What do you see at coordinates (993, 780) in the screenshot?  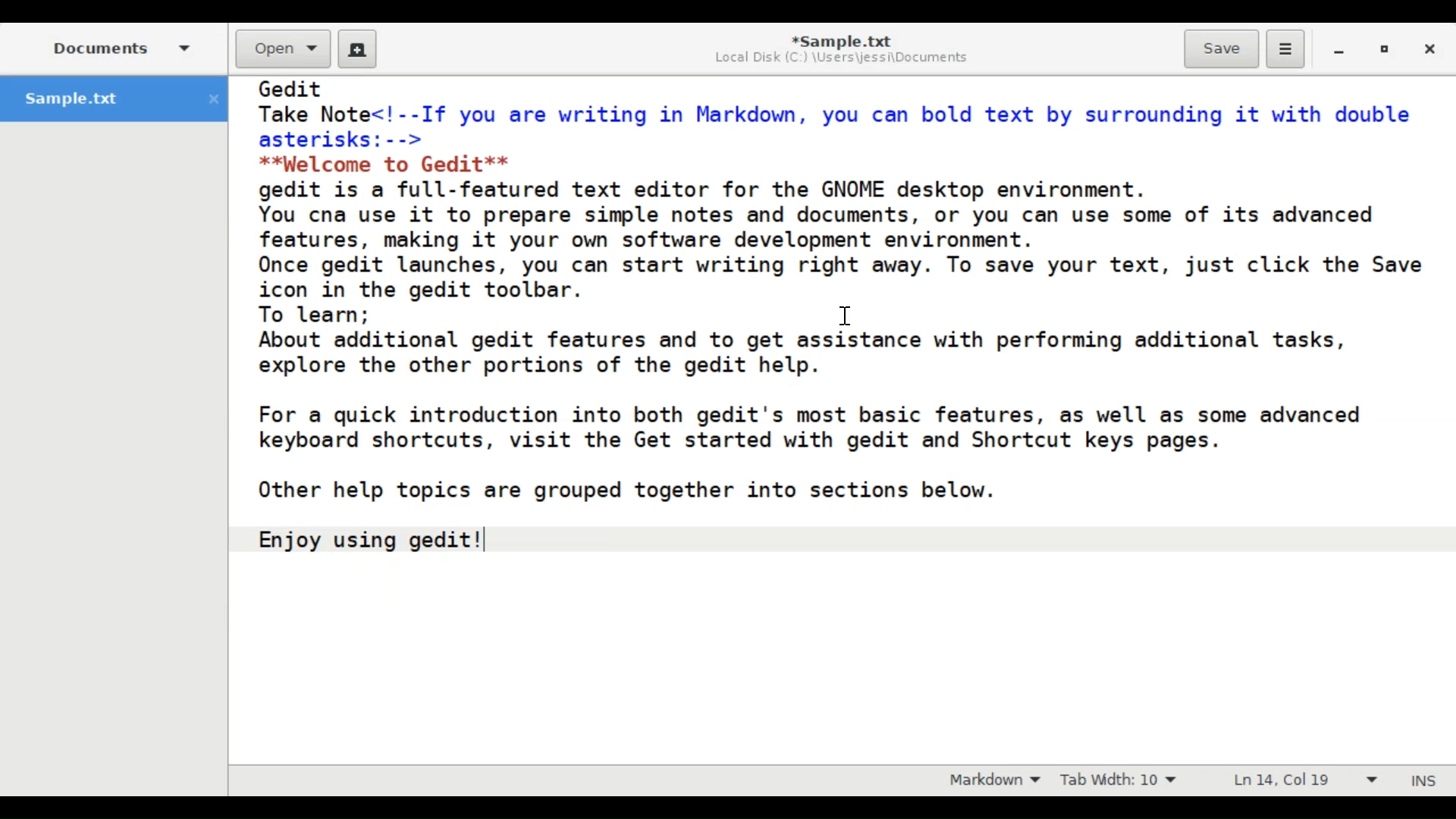 I see `Highlight Mode` at bounding box center [993, 780].